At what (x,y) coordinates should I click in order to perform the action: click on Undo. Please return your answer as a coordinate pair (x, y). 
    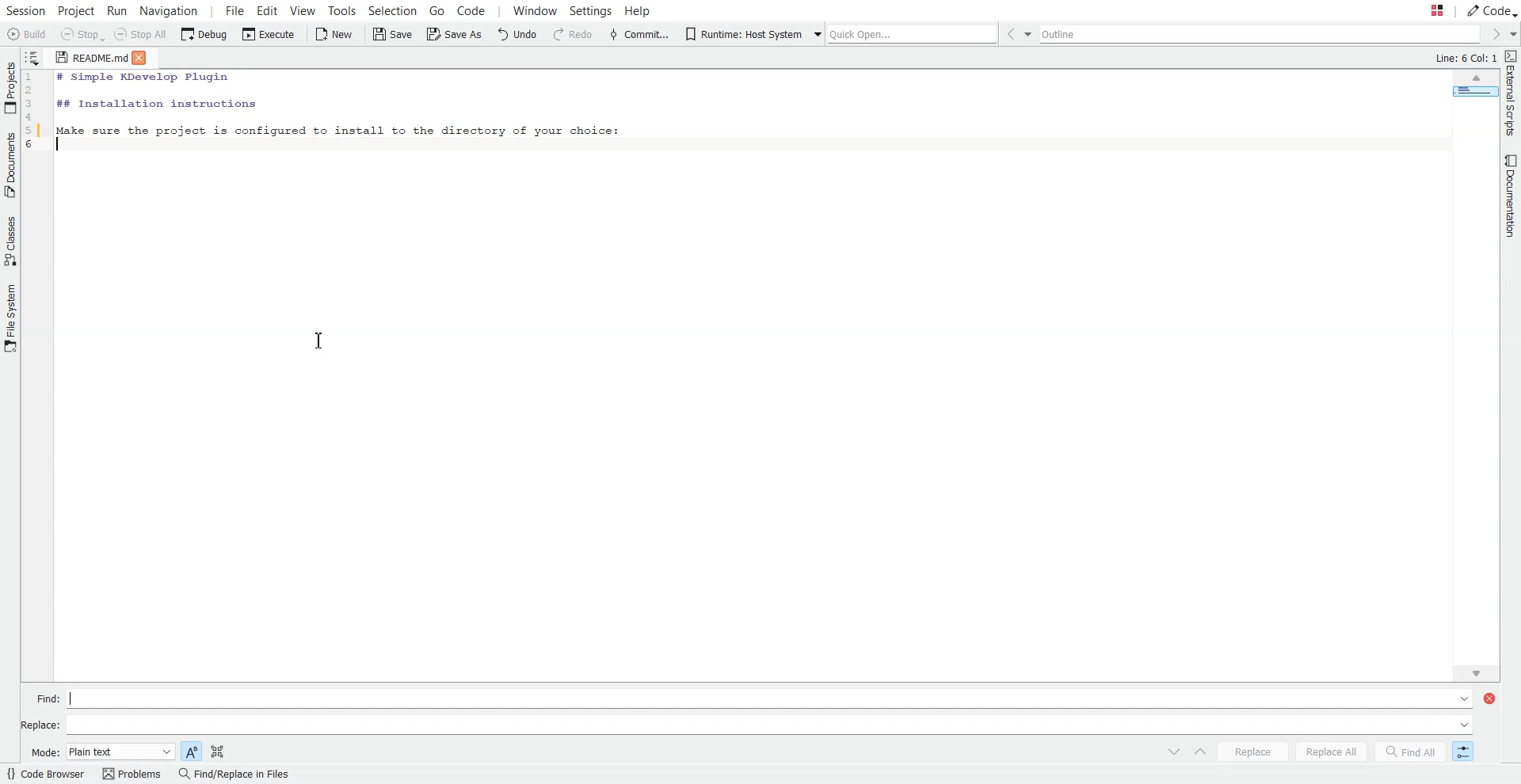
    Looking at the image, I should click on (520, 35).